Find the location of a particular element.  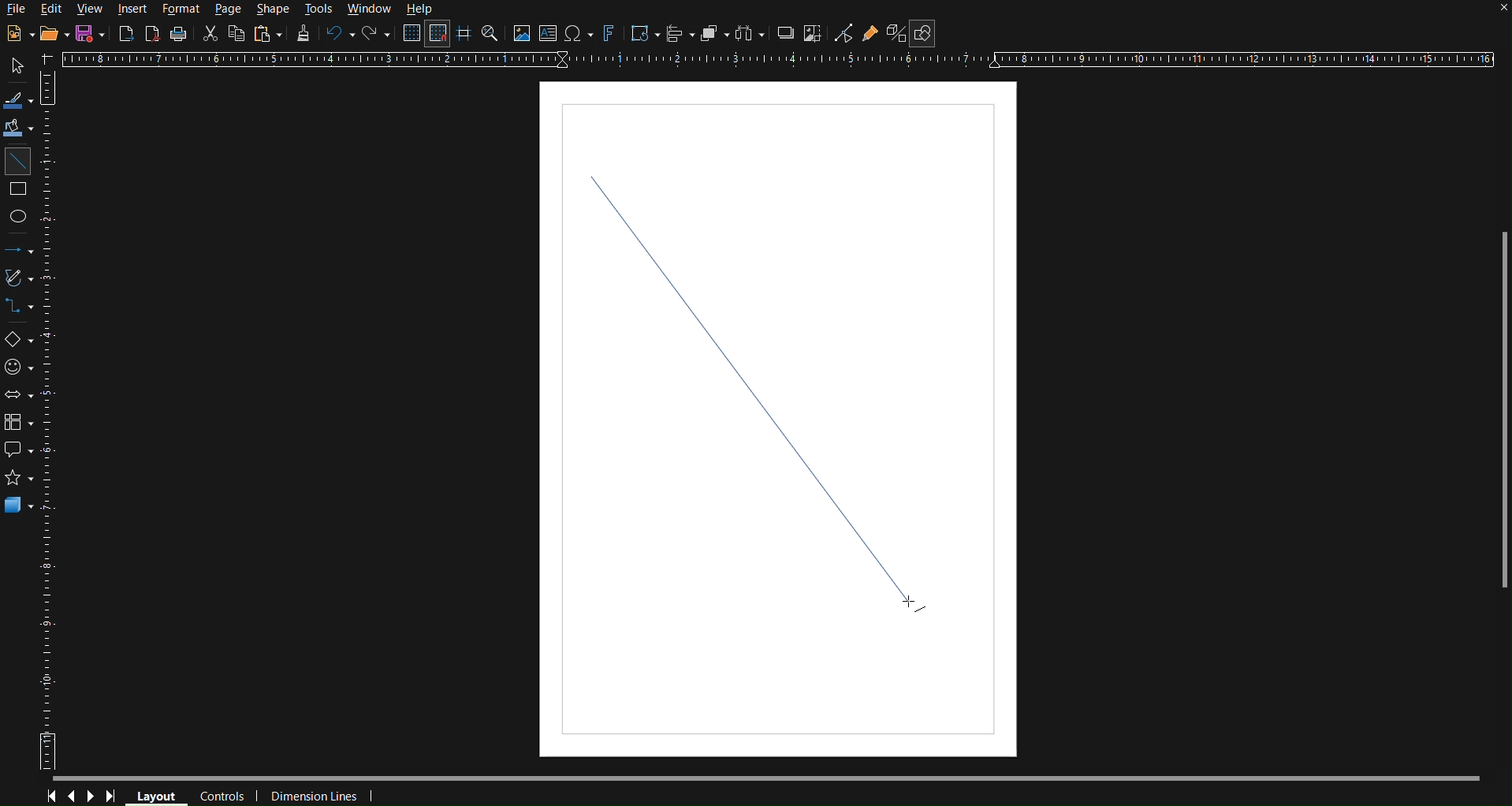

Window is located at coordinates (368, 9).